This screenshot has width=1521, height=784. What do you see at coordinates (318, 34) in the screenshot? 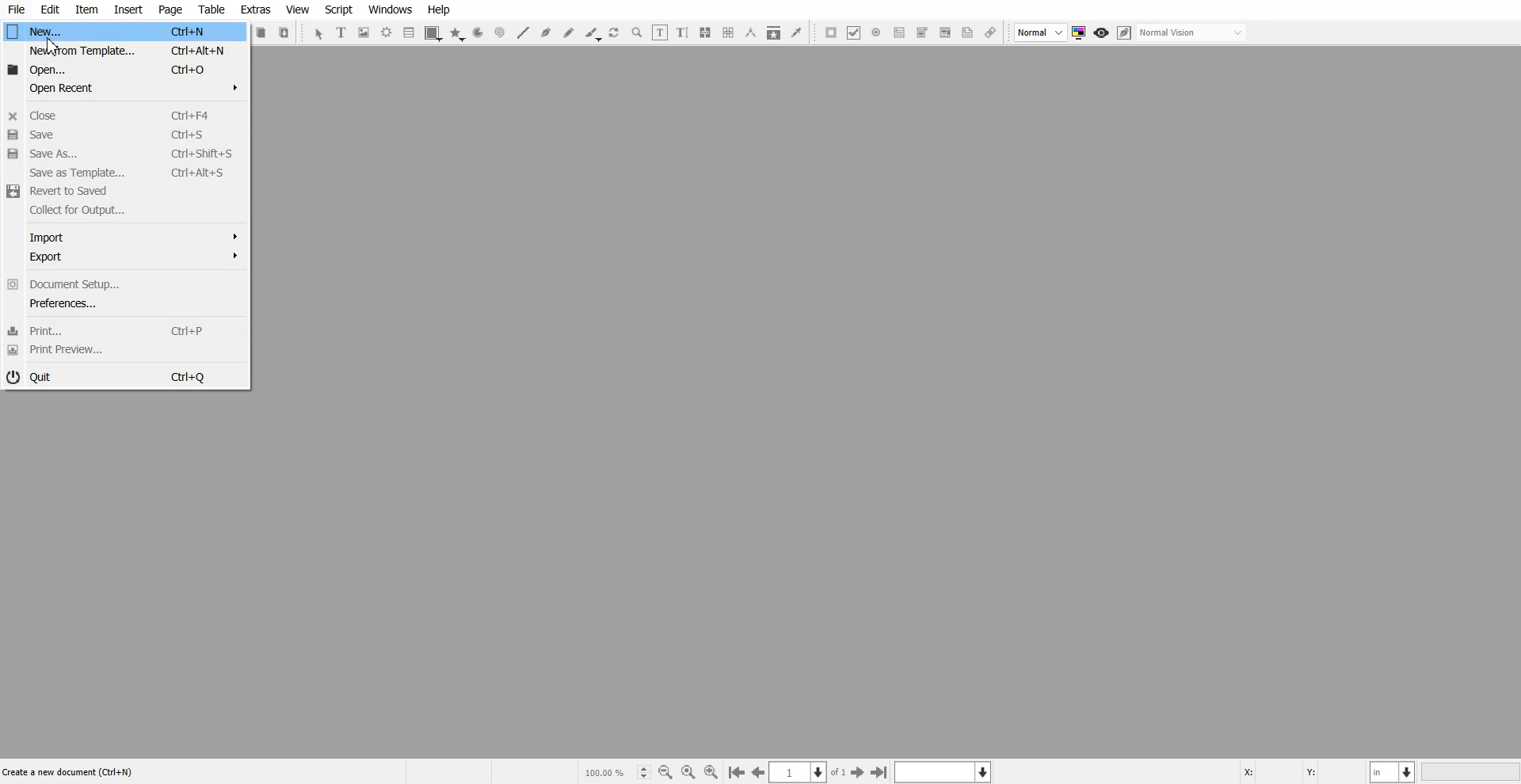
I see `Select Item` at bounding box center [318, 34].